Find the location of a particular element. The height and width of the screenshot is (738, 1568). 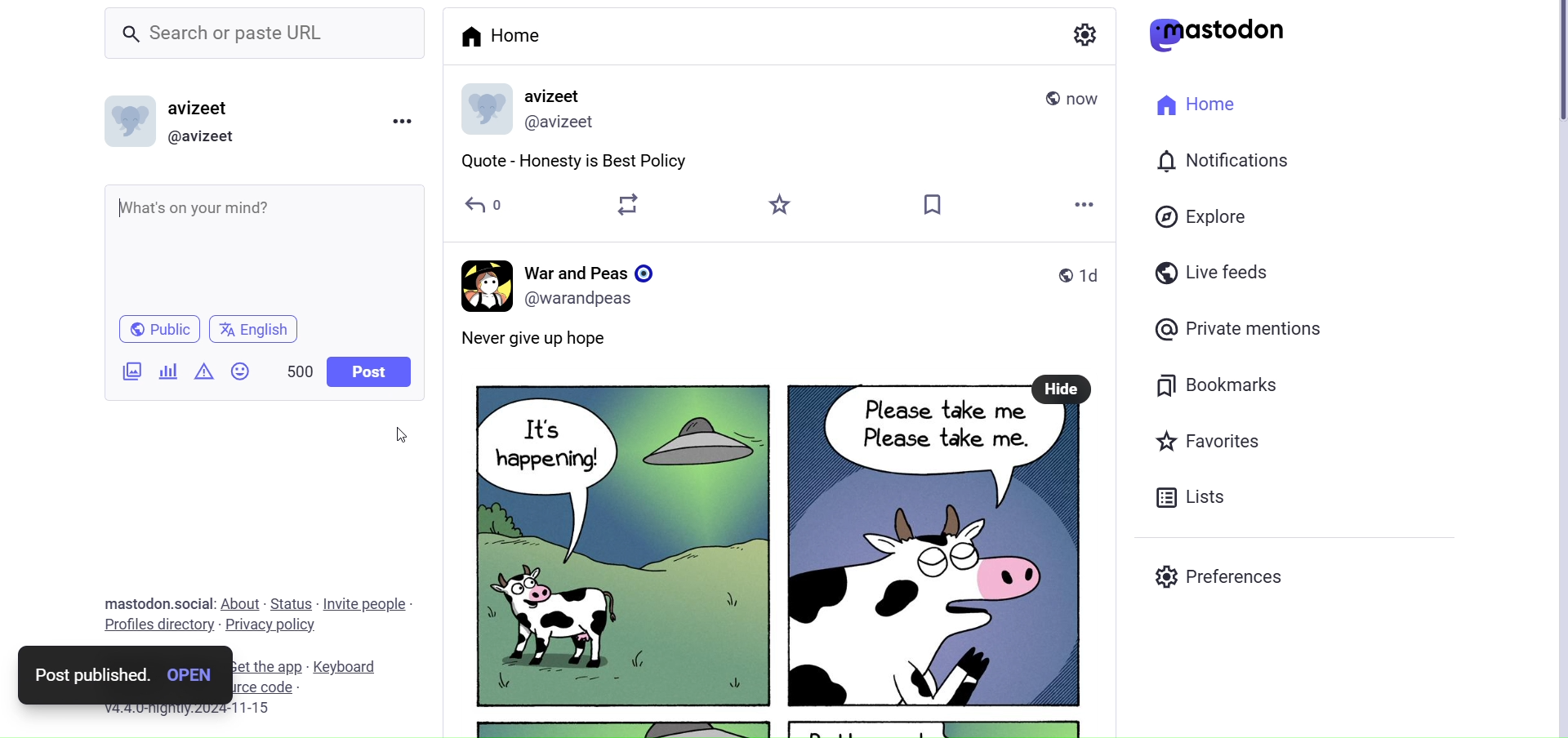

Post is located at coordinates (741, 559).